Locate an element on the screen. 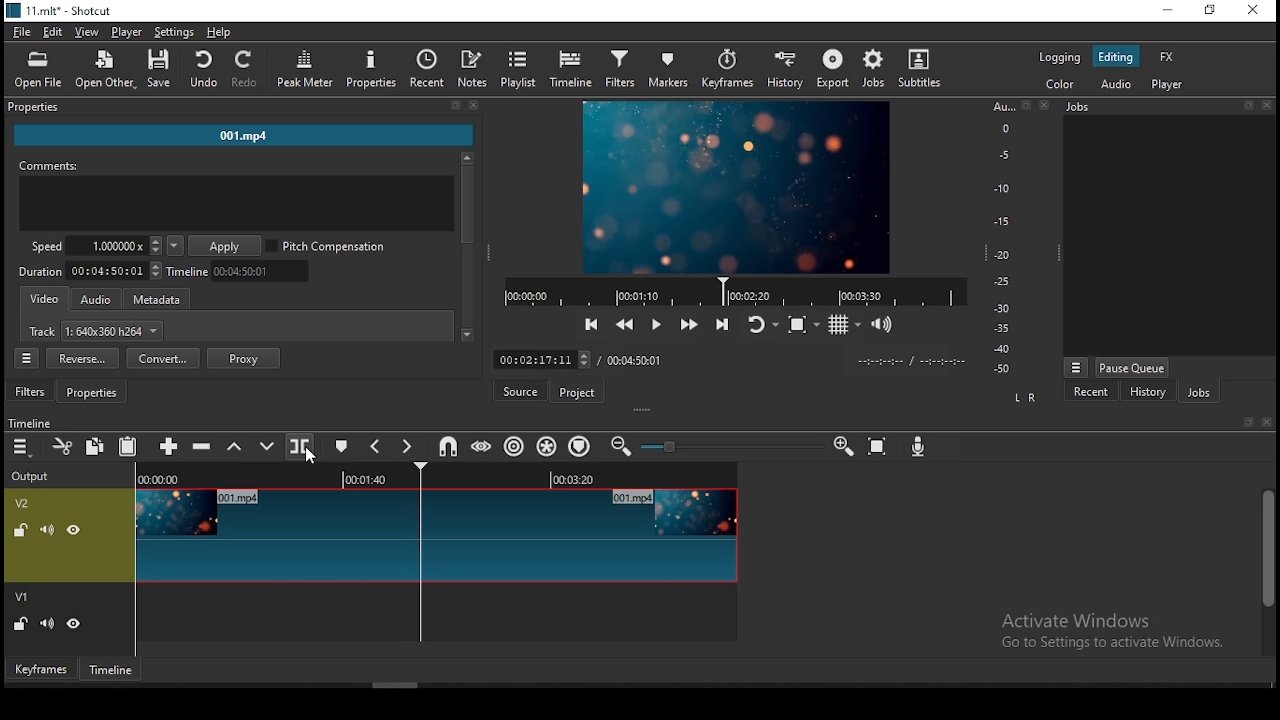 This screenshot has height=720, width=1280. snap is located at coordinates (447, 447).